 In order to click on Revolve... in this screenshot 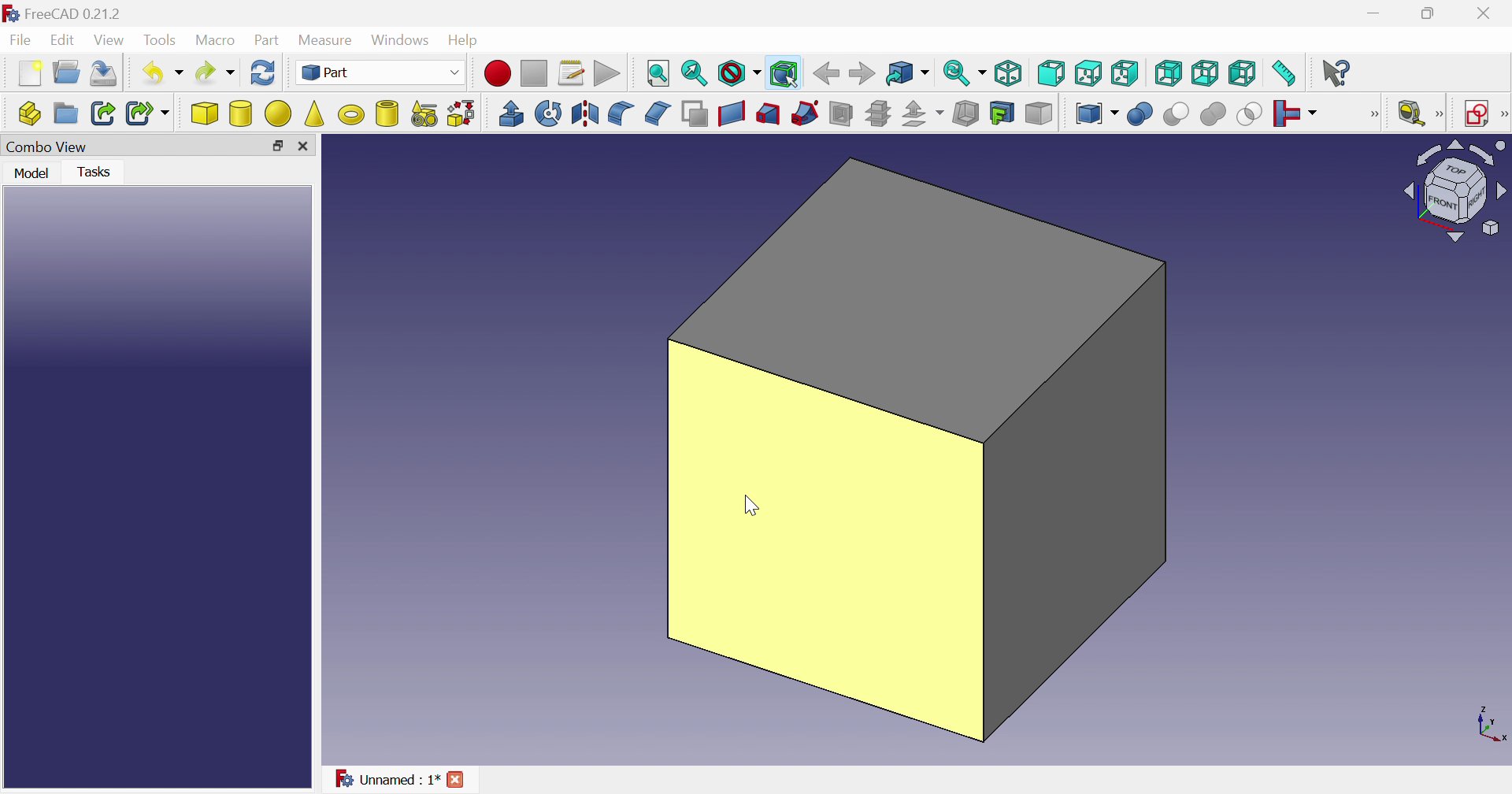, I will do `click(548, 113)`.